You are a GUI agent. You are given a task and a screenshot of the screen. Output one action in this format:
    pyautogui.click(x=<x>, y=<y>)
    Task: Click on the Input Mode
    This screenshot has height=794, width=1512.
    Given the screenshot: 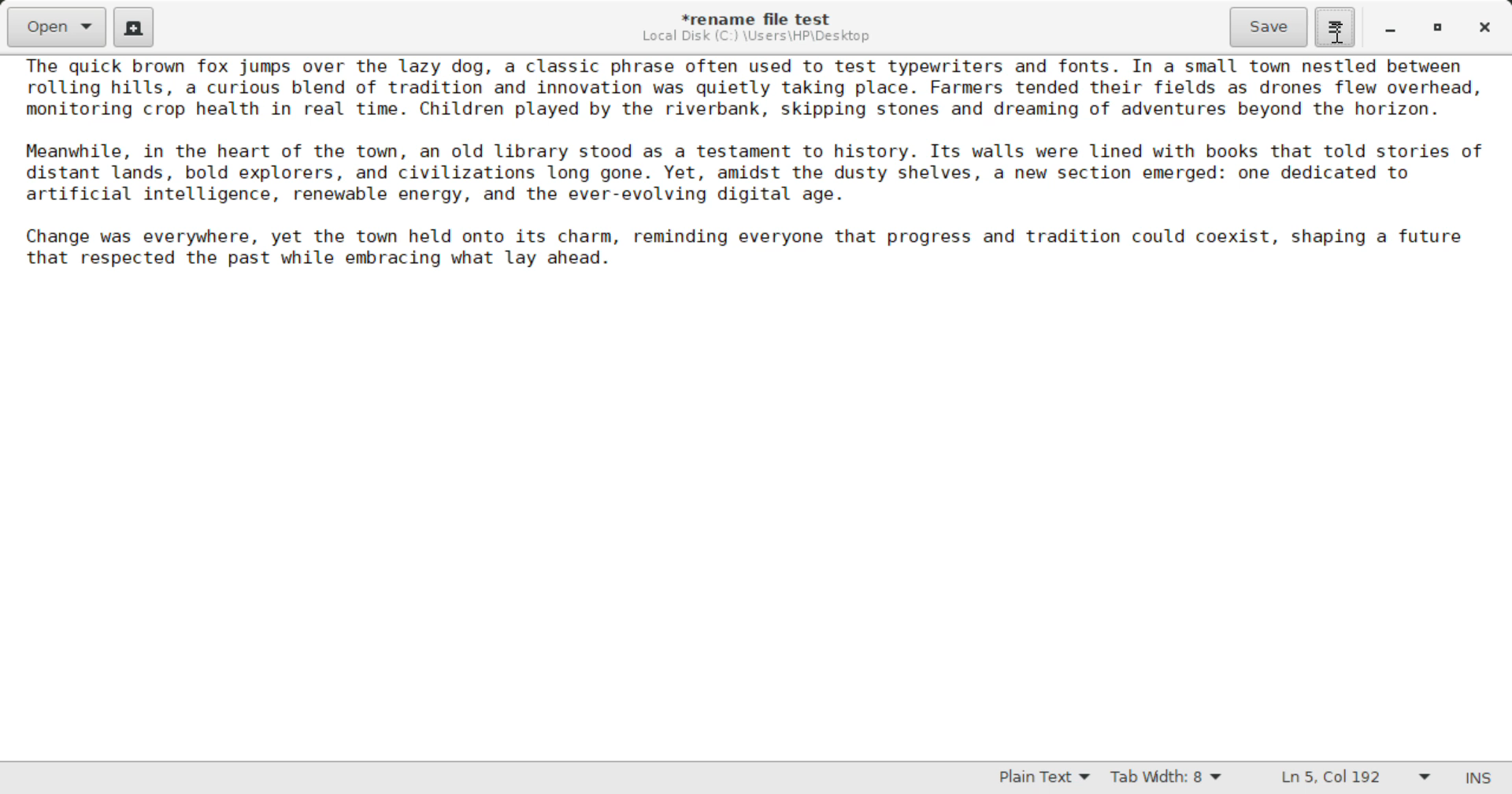 What is the action you would take?
    pyautogui.click(x=1478, y=780)
    